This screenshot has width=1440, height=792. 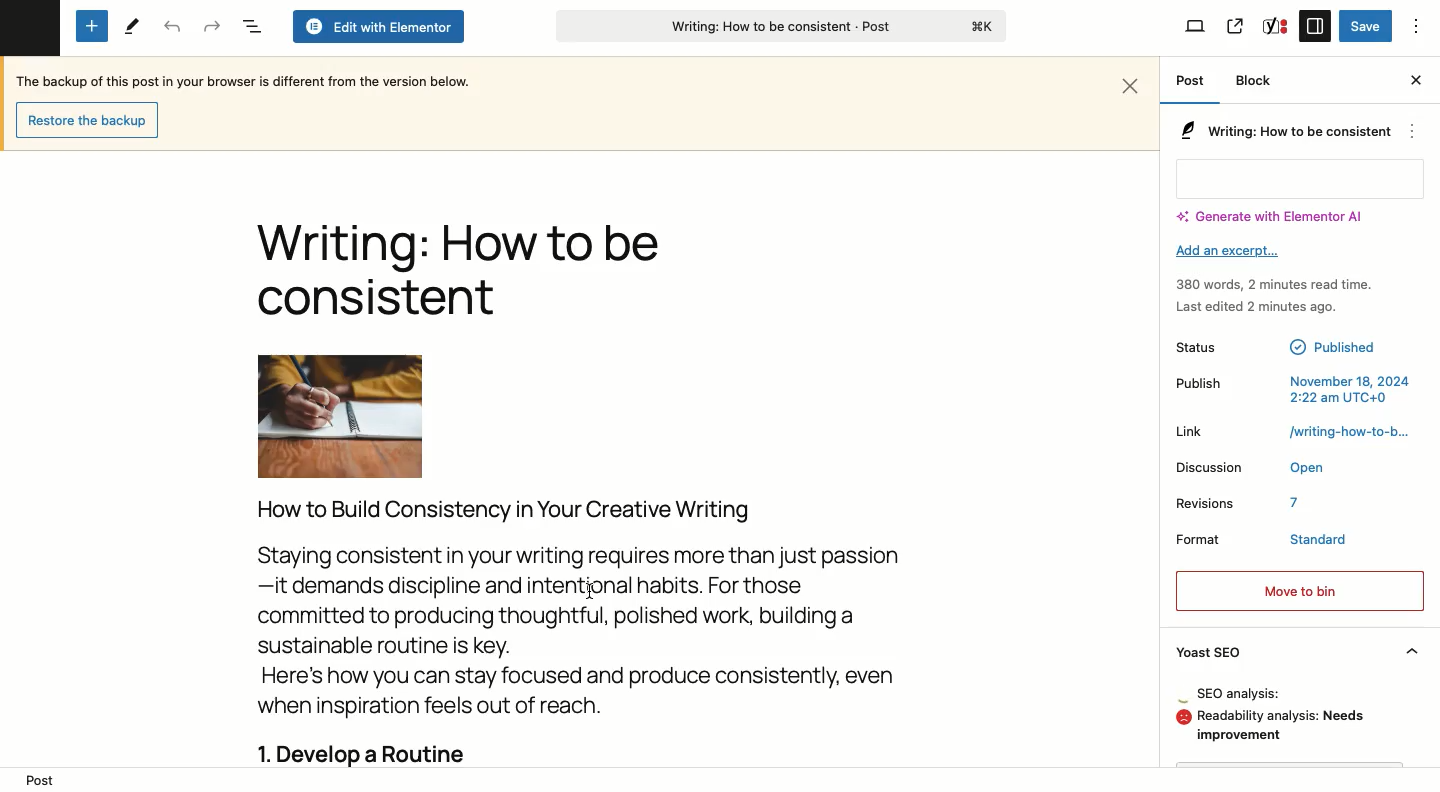 What do you see at coordinates (616, 630) in the screenshot?
I see `Body` at bounding box center [616, 630].